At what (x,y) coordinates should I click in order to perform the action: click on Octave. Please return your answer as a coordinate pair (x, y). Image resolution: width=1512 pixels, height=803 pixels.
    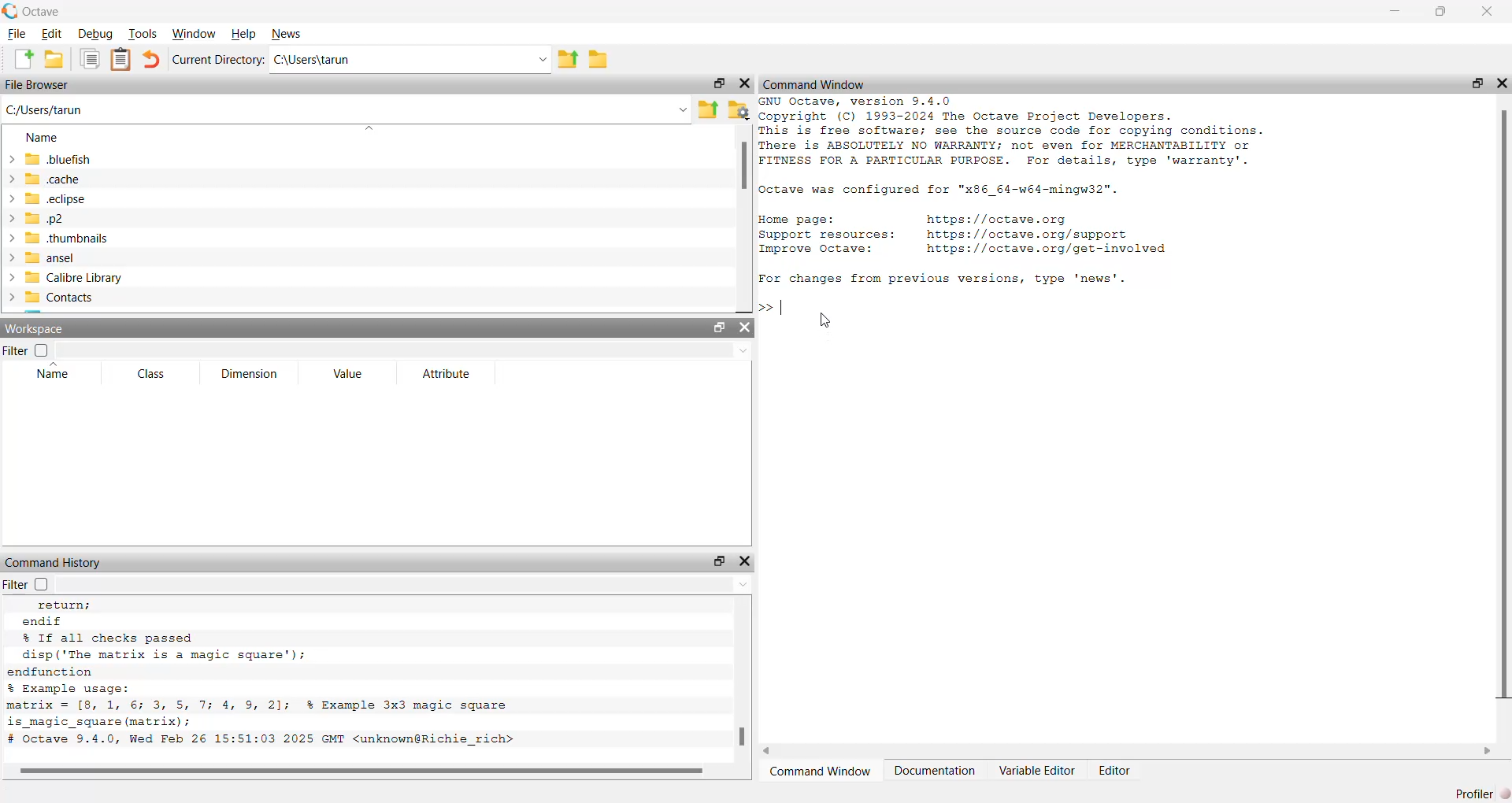
    Looking at the image, I should click on (43, 12).